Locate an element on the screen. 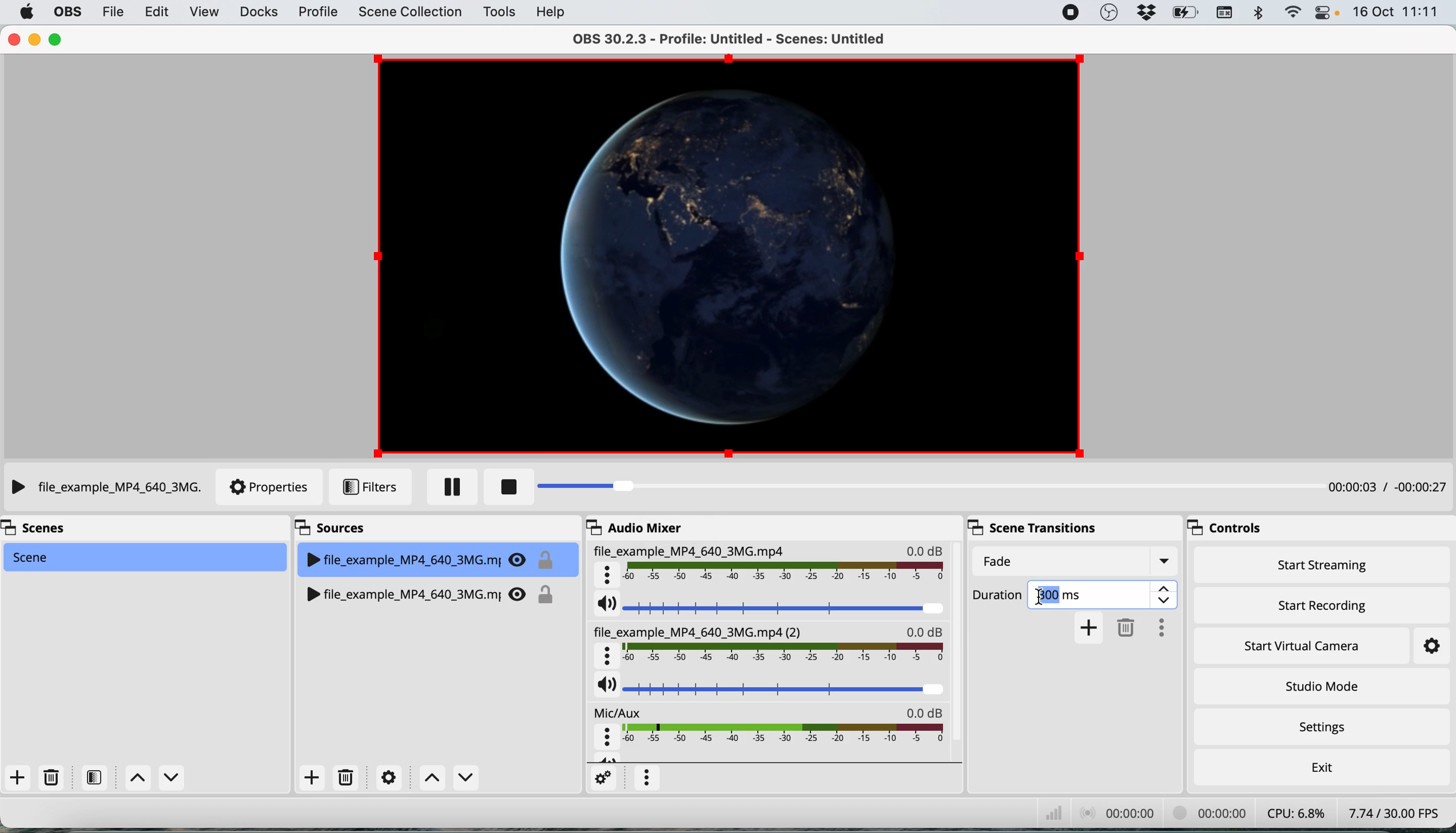 Image resolution: width=1456 pixels, height=833 pixels. start recording is located at coordinates (1319, 605).